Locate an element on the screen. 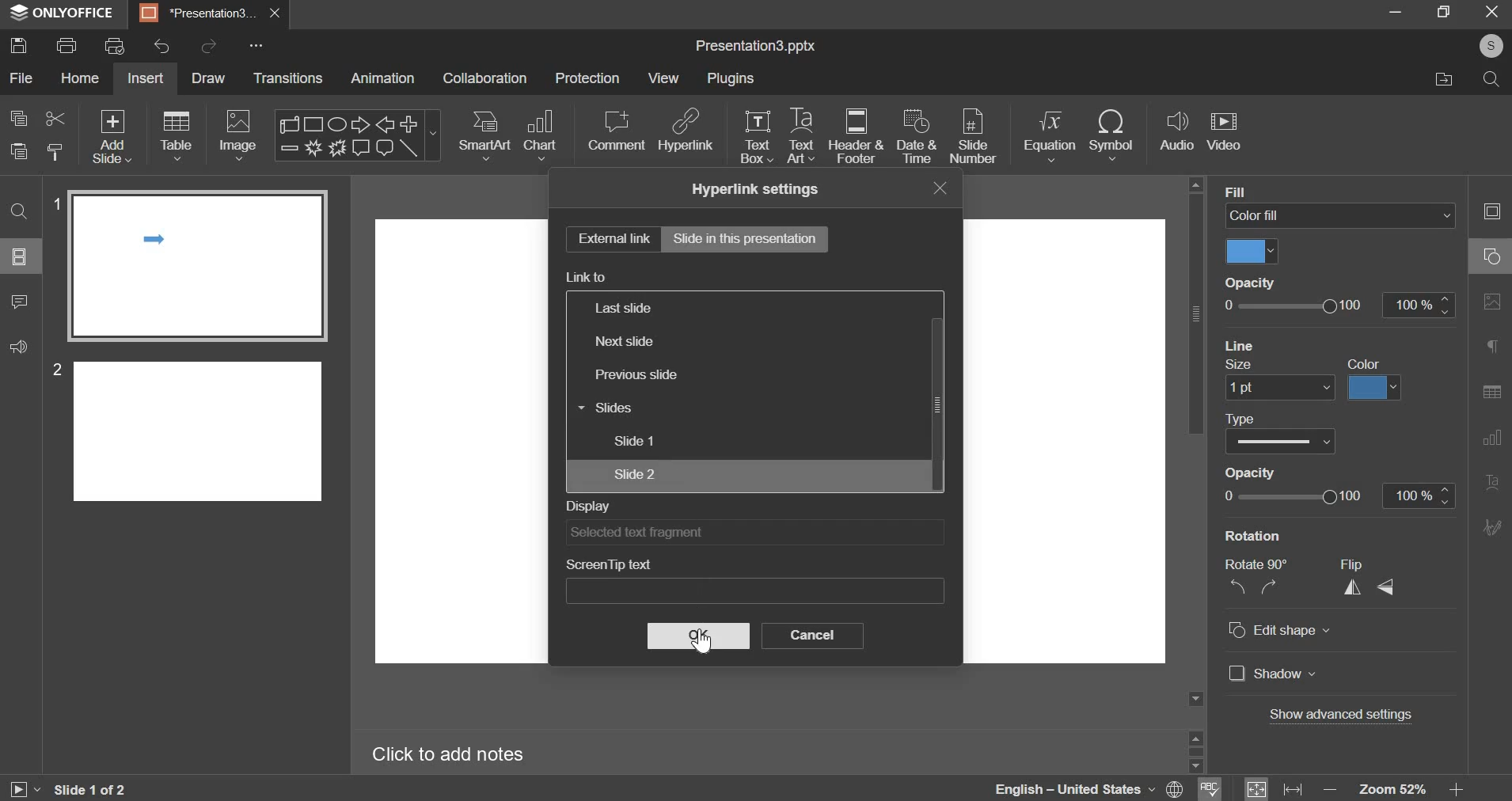 This screenshot has height=801, width=1512. rotate anti-clockwise is located at coordinates (1237, 586).